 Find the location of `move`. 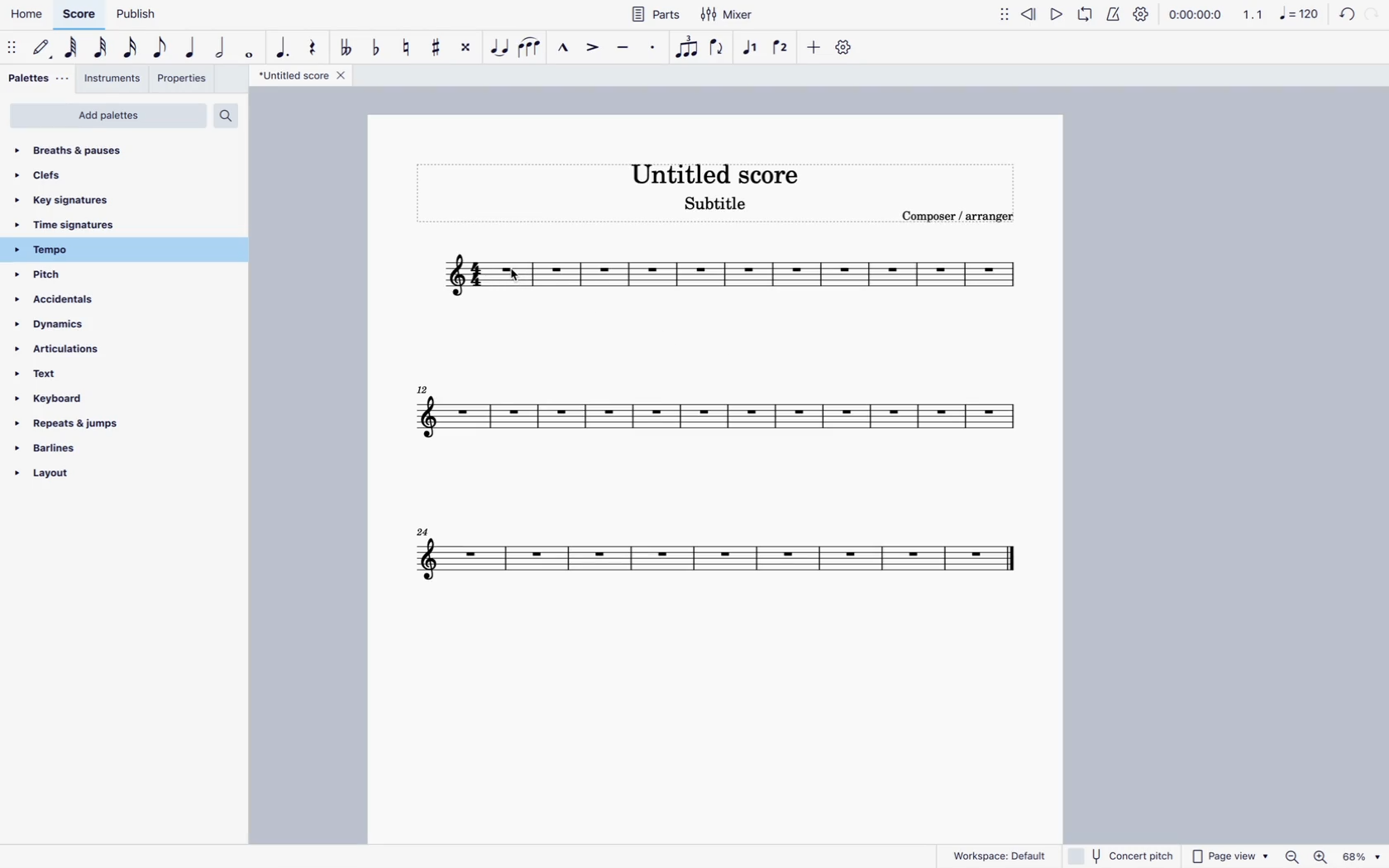

move is located at coordinates (1001, 14).